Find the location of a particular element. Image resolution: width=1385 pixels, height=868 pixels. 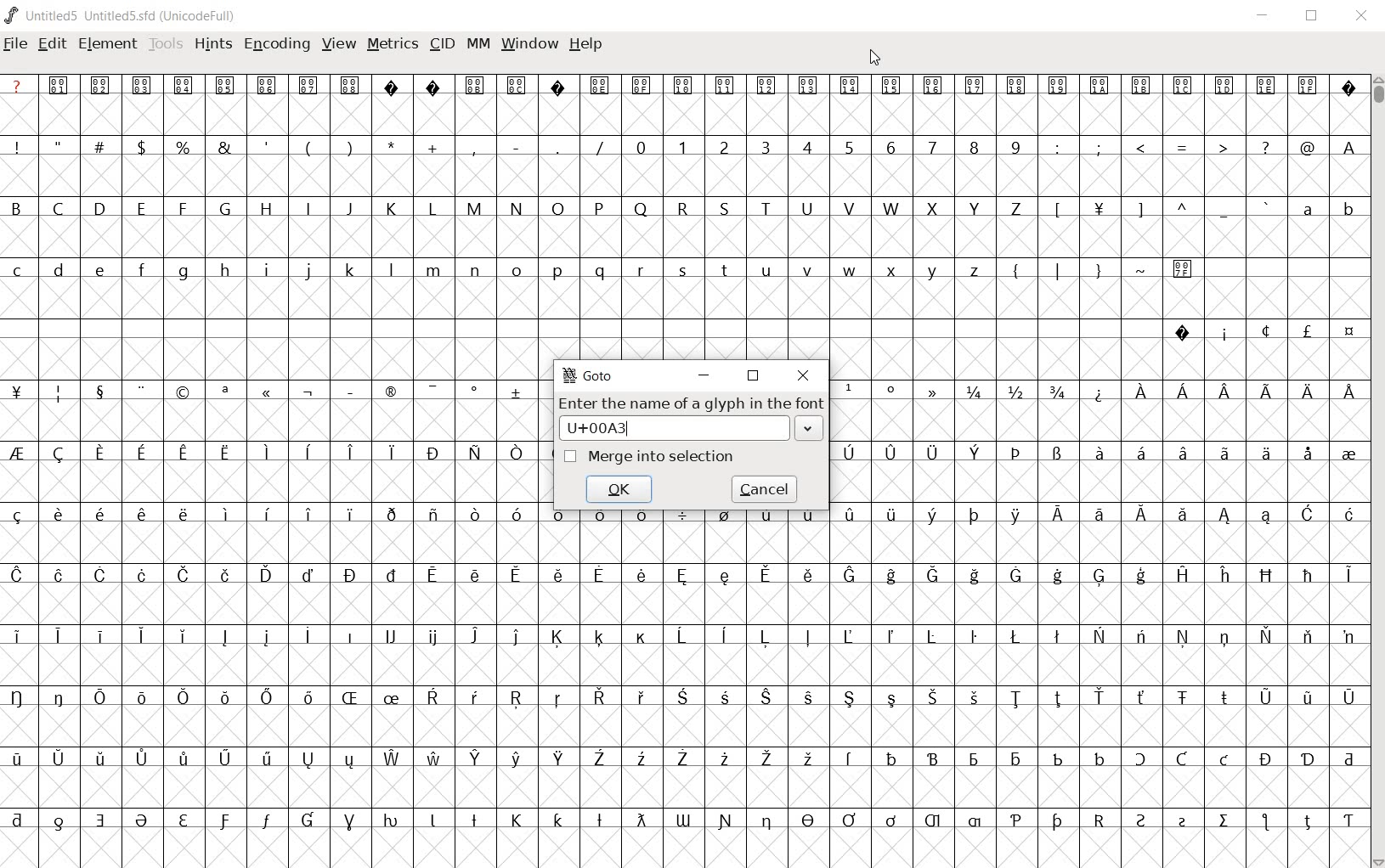

Symbol is located at coordinates (850, 514).